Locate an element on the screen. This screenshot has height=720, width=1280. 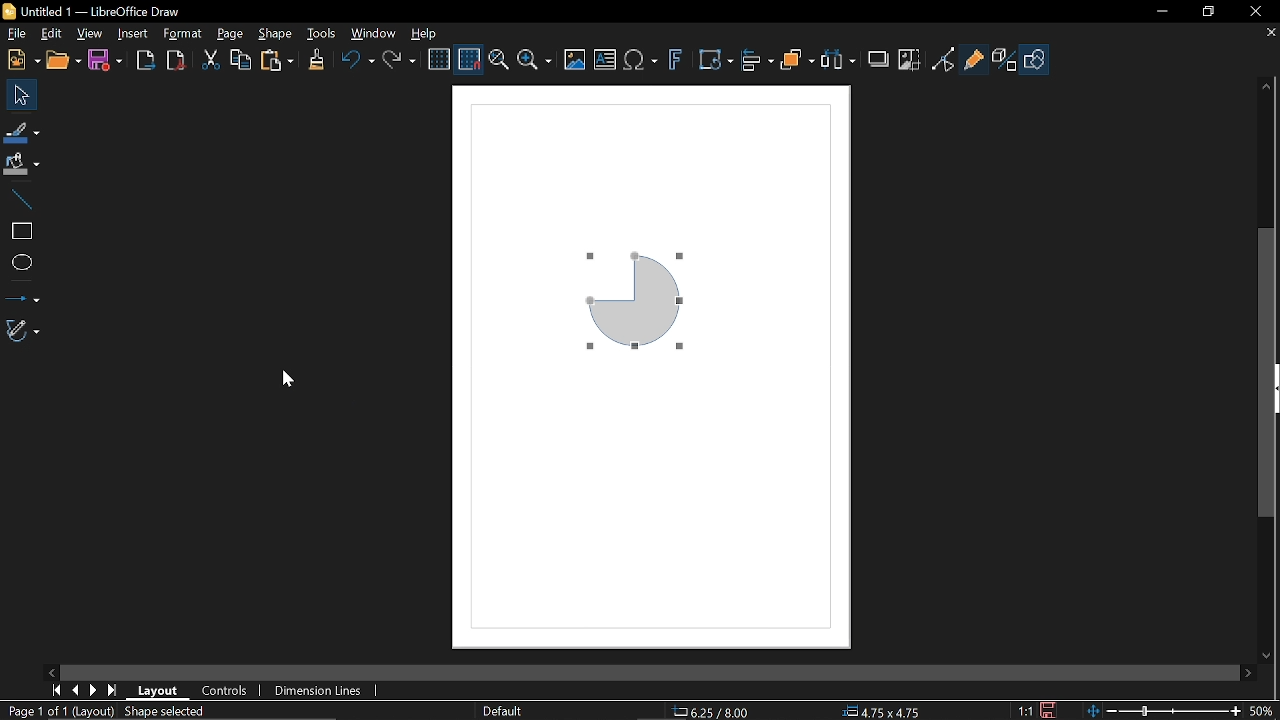
Current zoom is located at coordinates (1265, 711).